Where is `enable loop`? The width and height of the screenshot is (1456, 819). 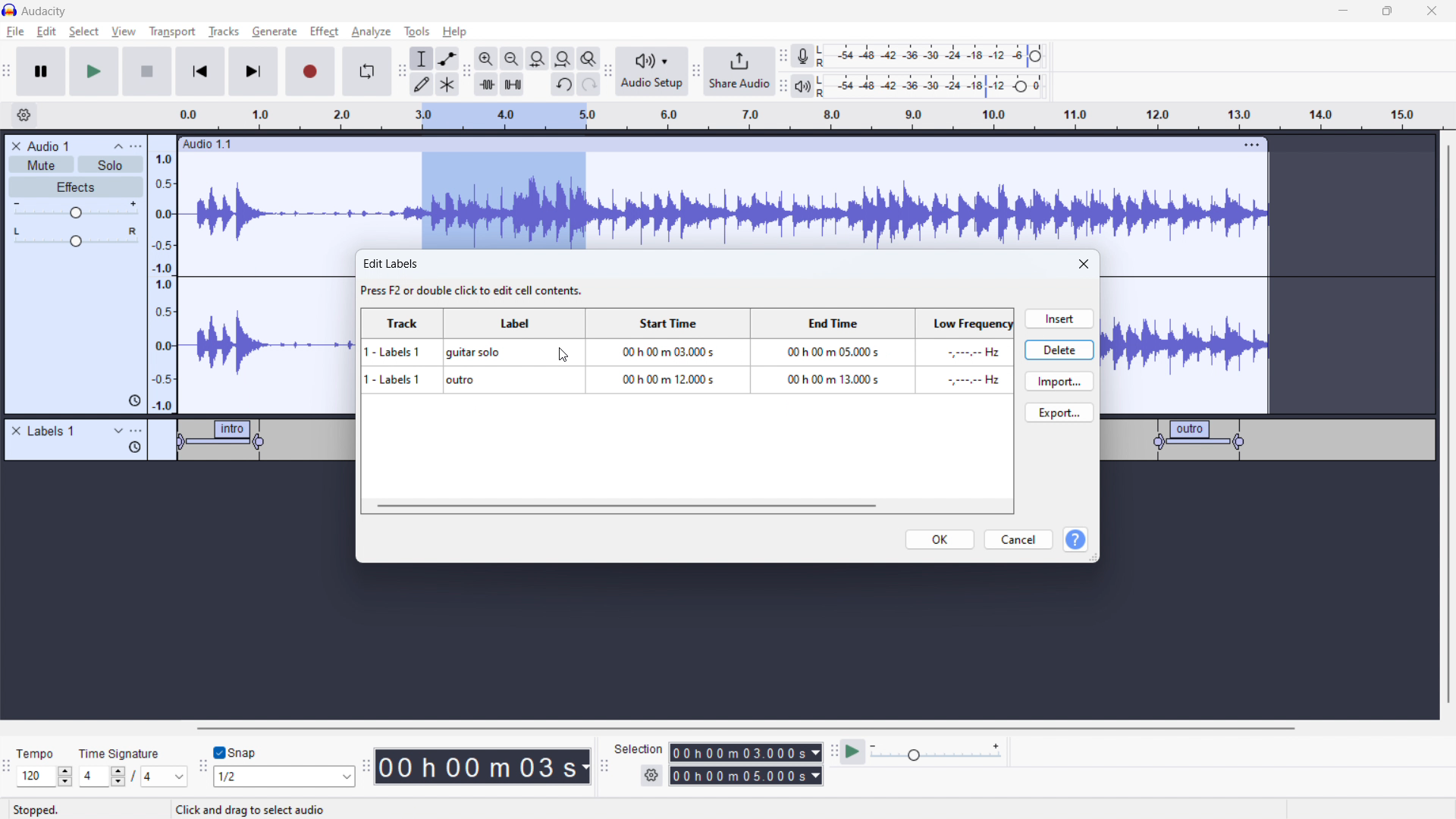
enable loop is located at coordinates (366, 71).